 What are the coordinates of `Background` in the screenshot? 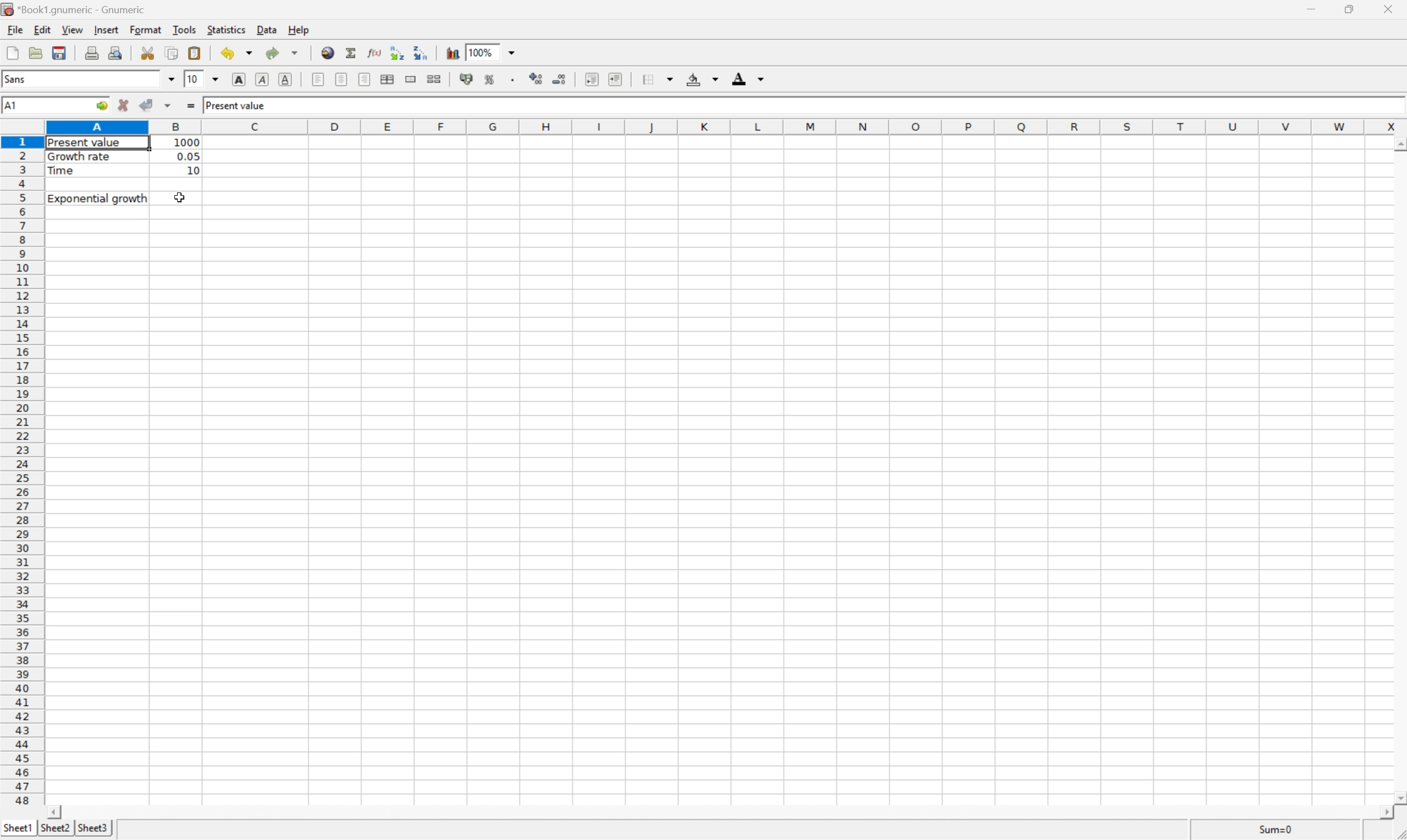 It's located at (700, 79).